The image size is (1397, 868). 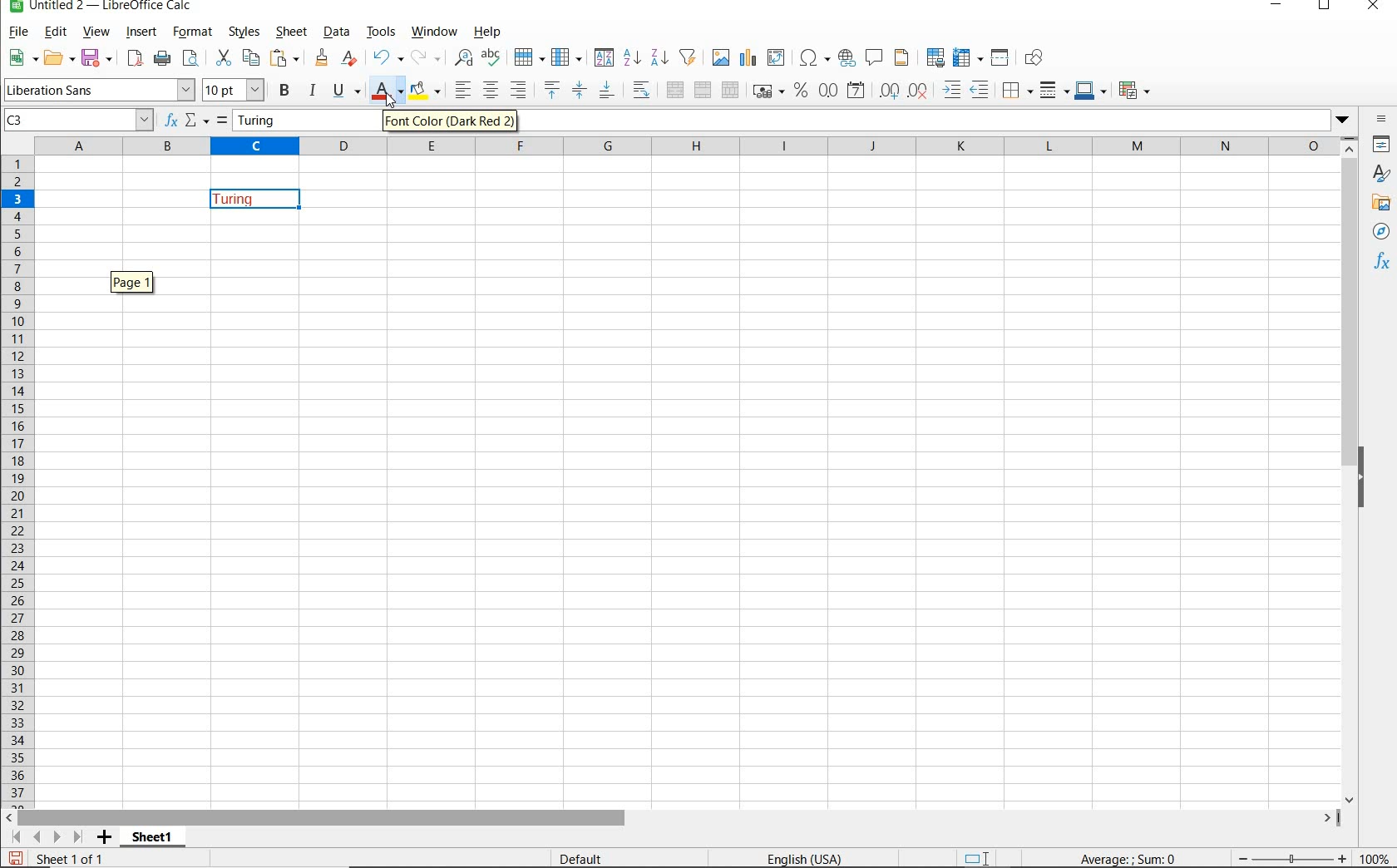 I want to click on SORT DESCENDING, so click(x=659, y=61).